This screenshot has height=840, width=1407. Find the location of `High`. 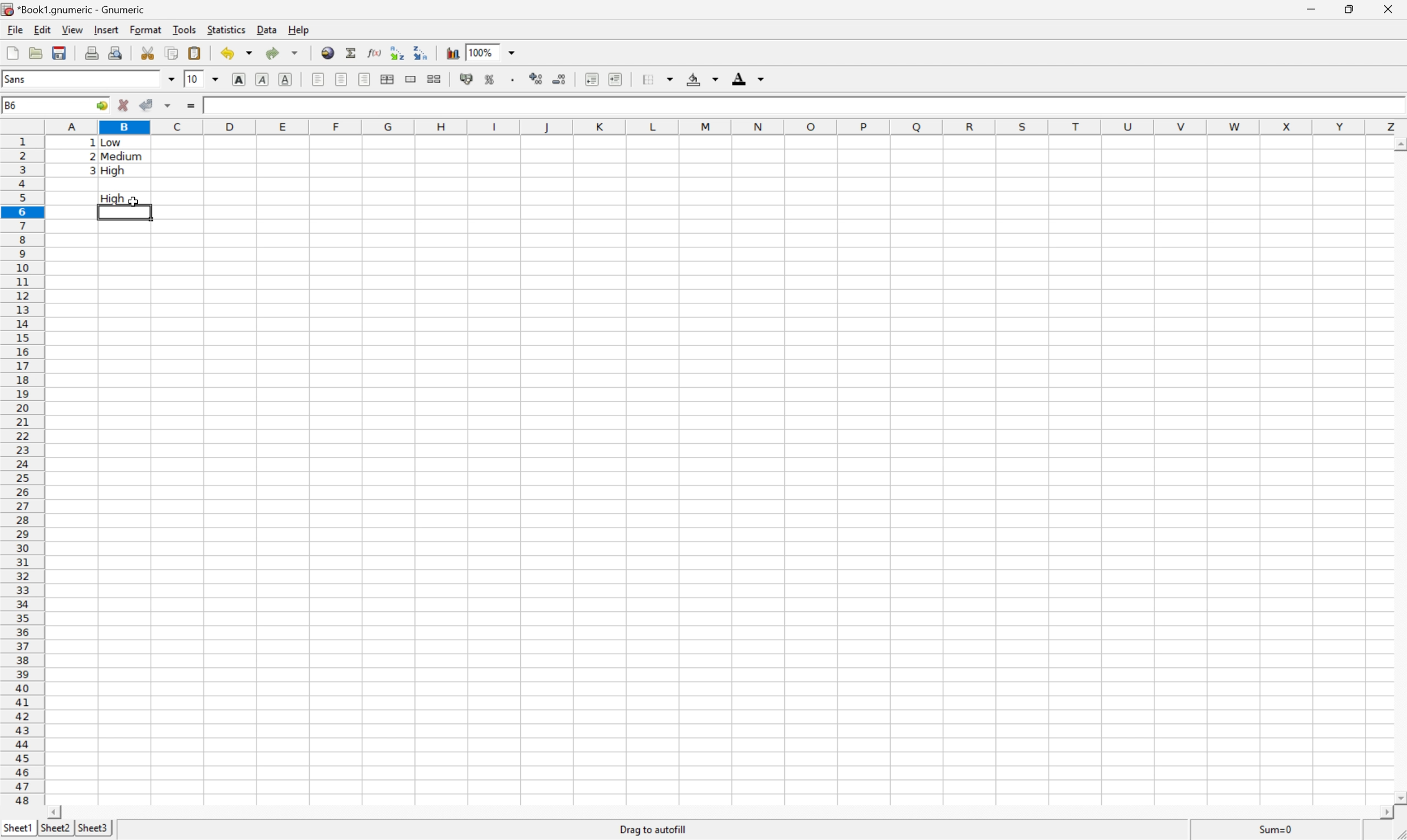

High is located at coordinates (117, 170).